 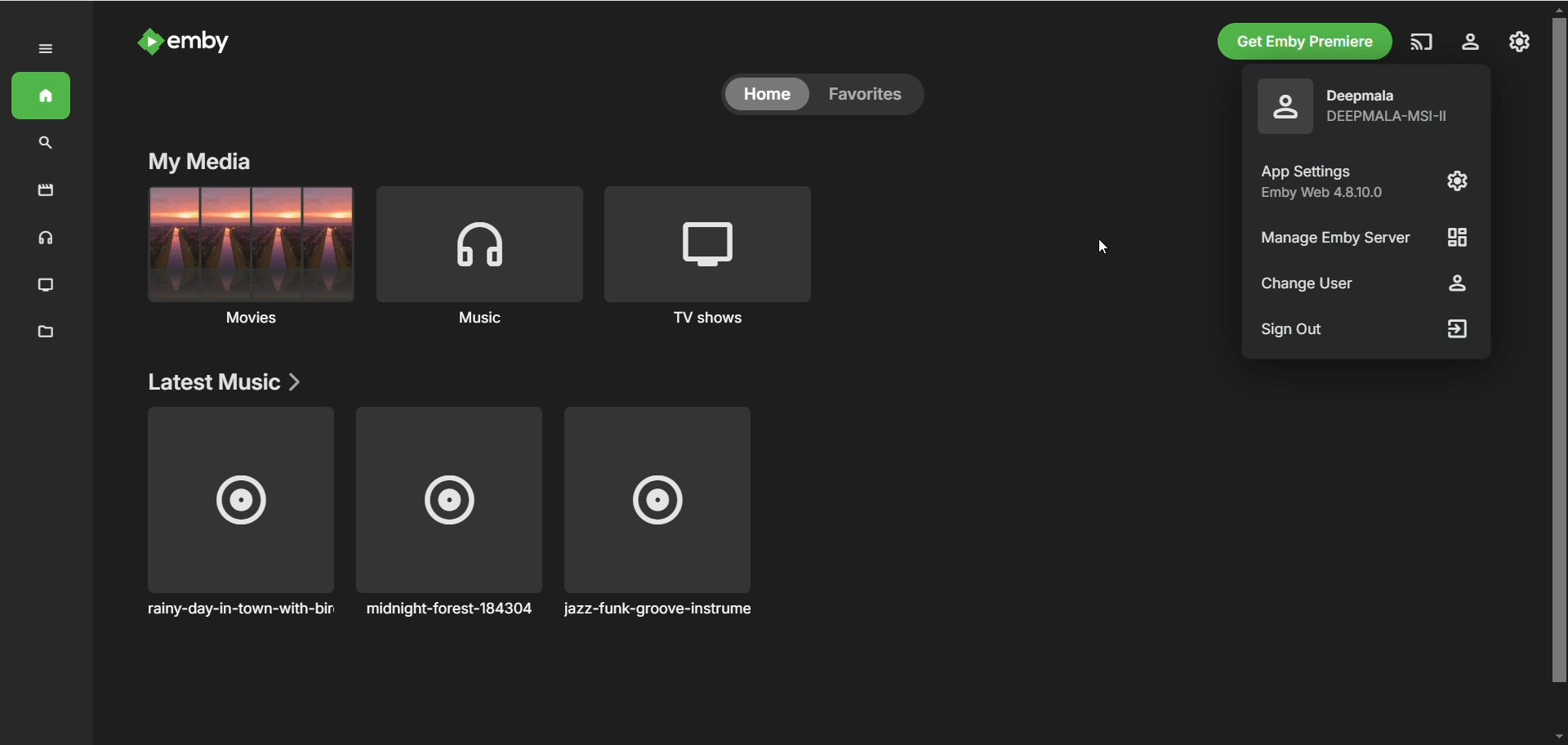 I want to click on jazz-funk-groove-instrument, so click(x=662, y=511).